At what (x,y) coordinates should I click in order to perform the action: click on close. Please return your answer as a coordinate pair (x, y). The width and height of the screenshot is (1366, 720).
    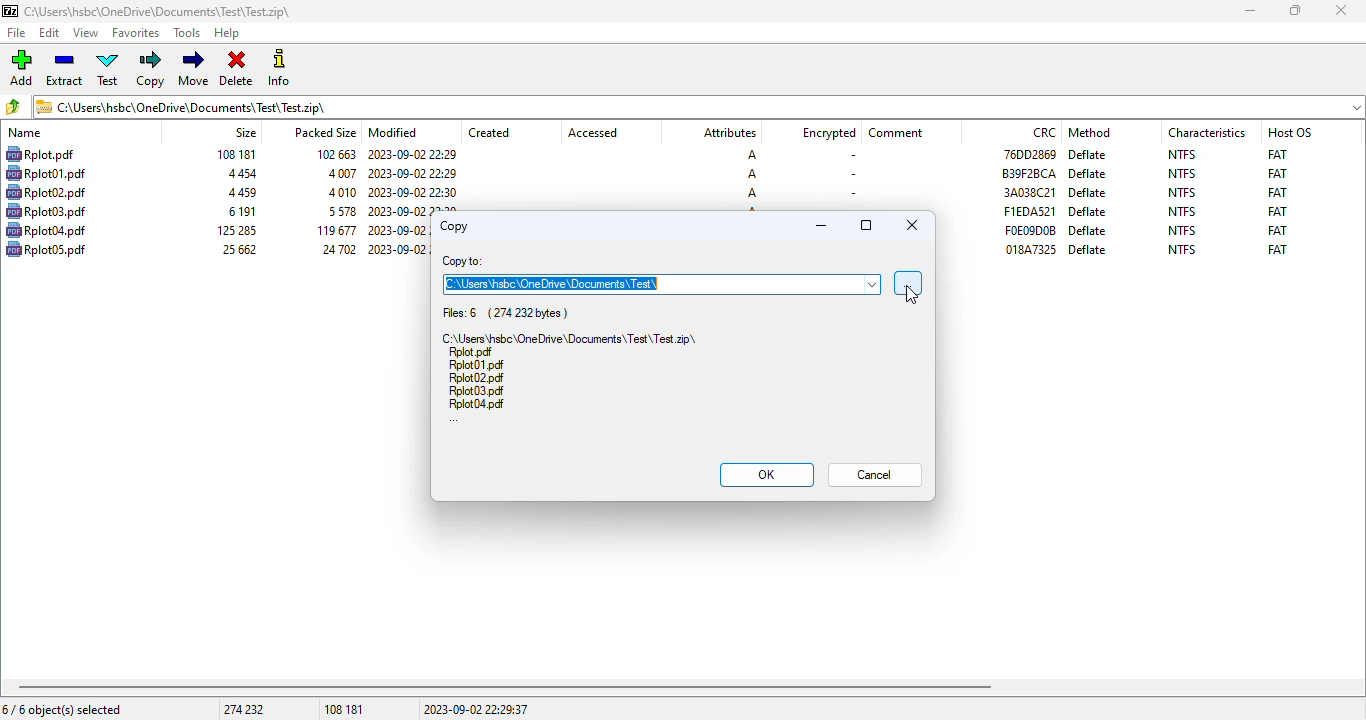
    Looking at the image, I should click on (1340, 10).